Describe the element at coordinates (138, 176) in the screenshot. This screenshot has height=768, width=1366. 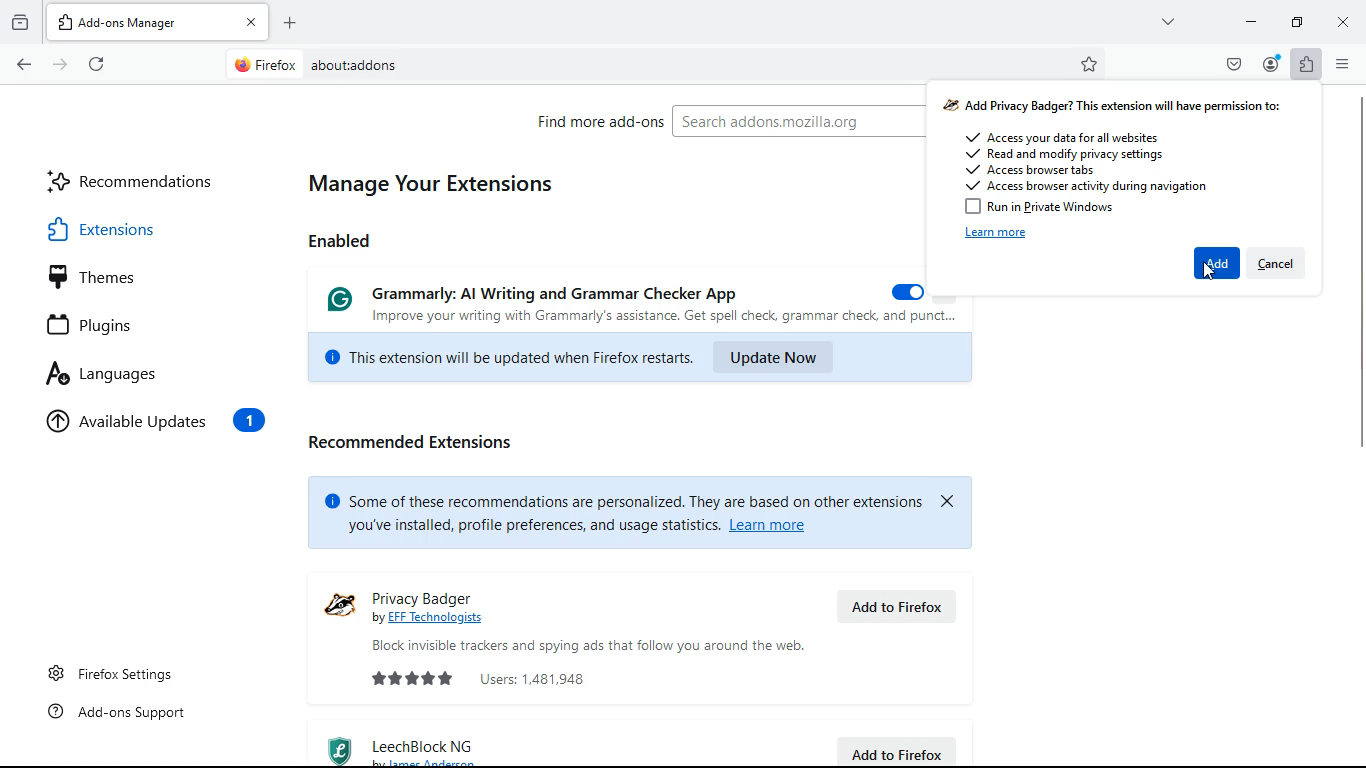
I see `recommendations` at that location.